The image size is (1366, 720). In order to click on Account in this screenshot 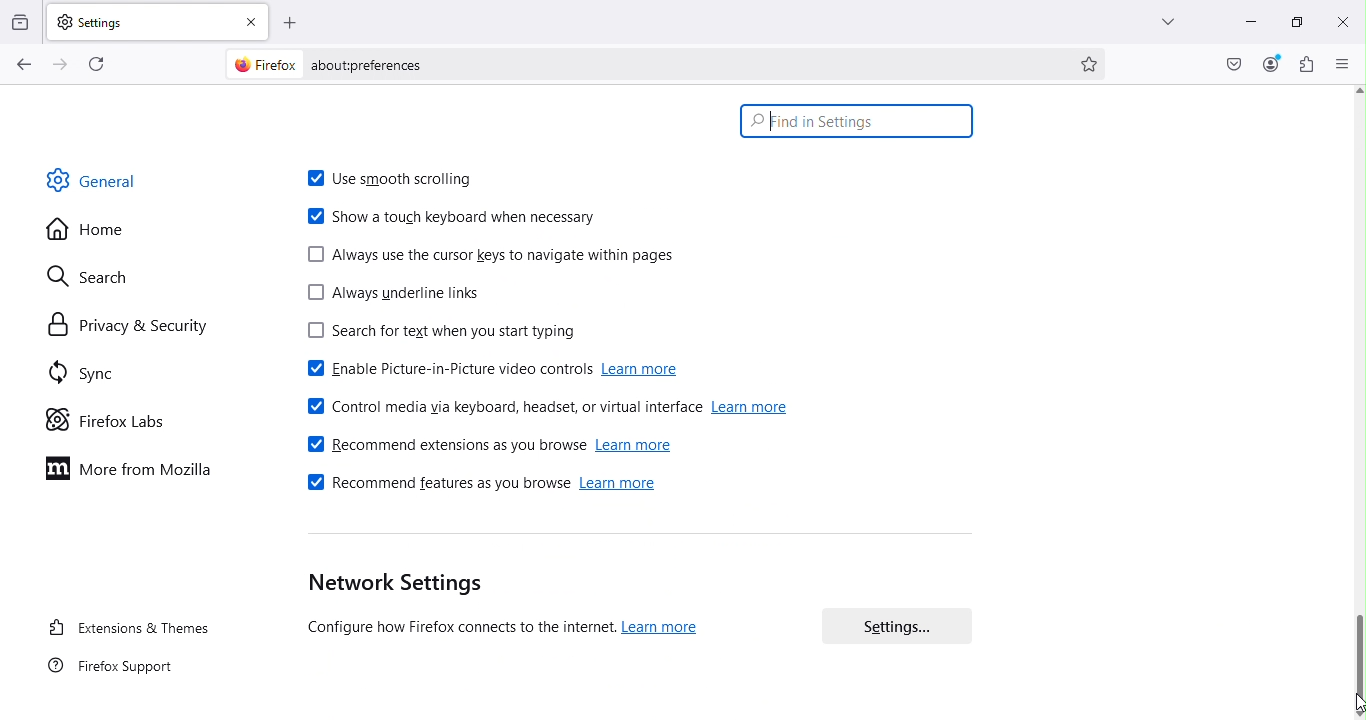, I will do `click(1273, 63)`.